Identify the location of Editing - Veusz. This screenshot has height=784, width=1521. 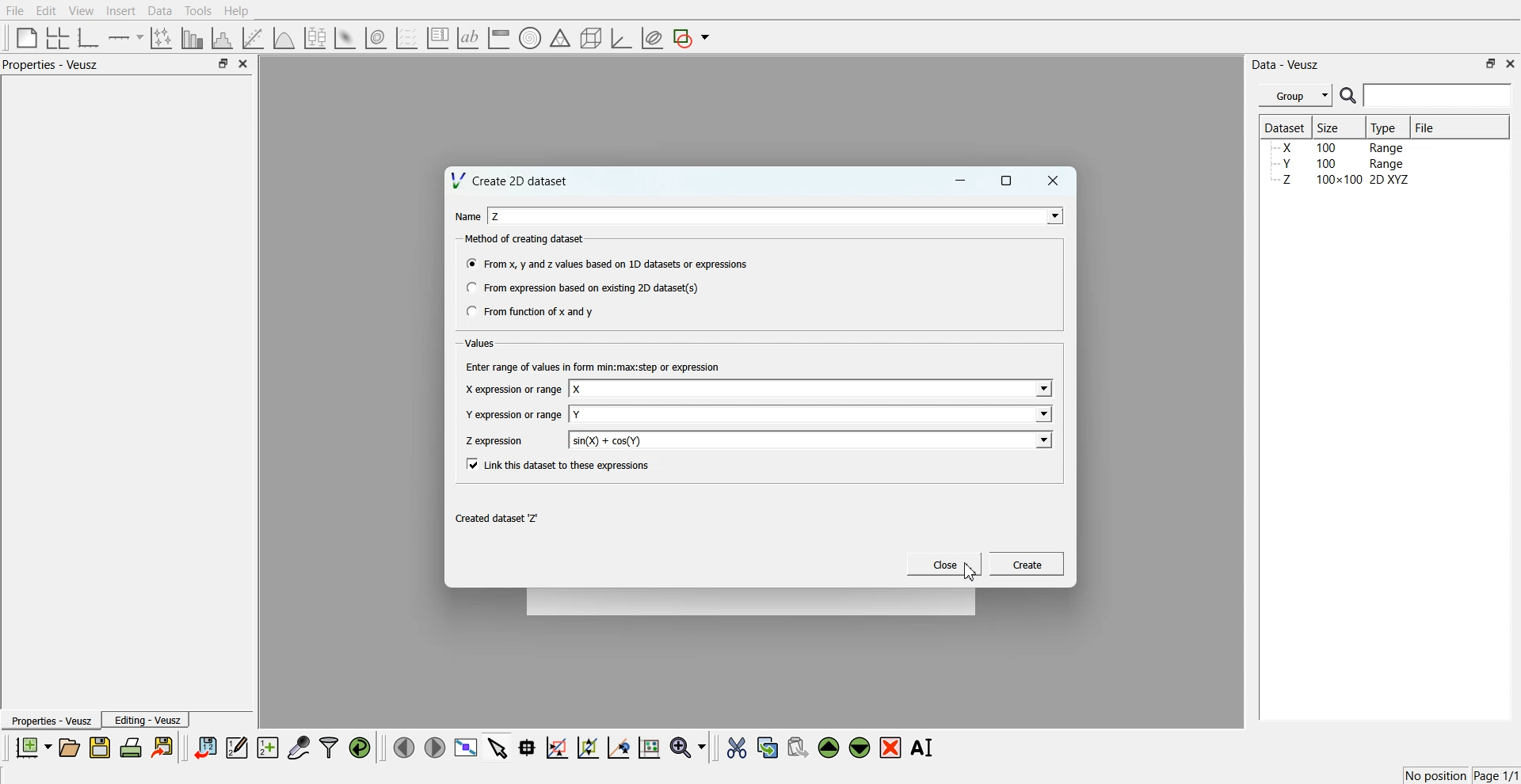
(146, 719).